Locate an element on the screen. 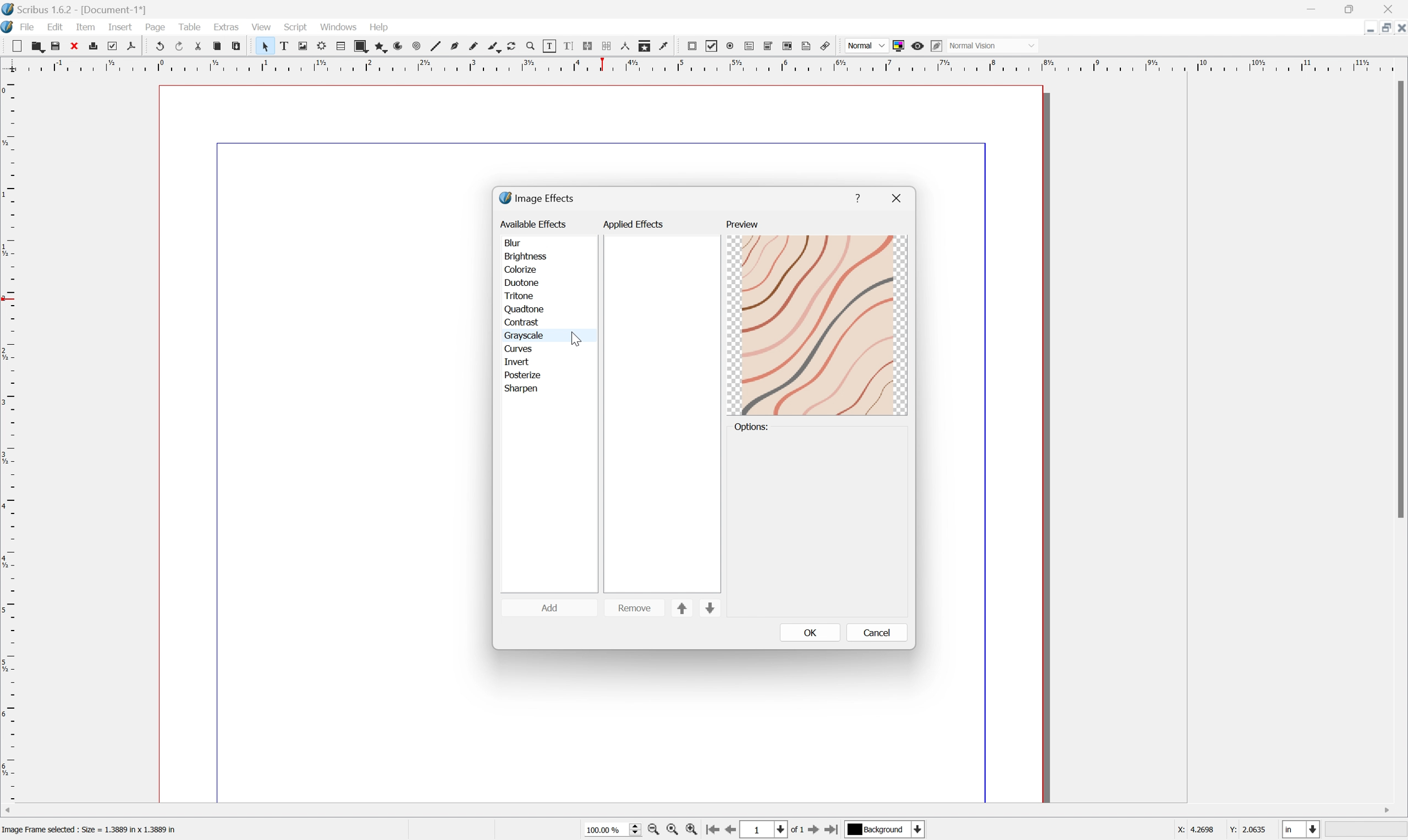 This screenshot has height=840, width=1408. Redo is located at coordinates (183, 47).